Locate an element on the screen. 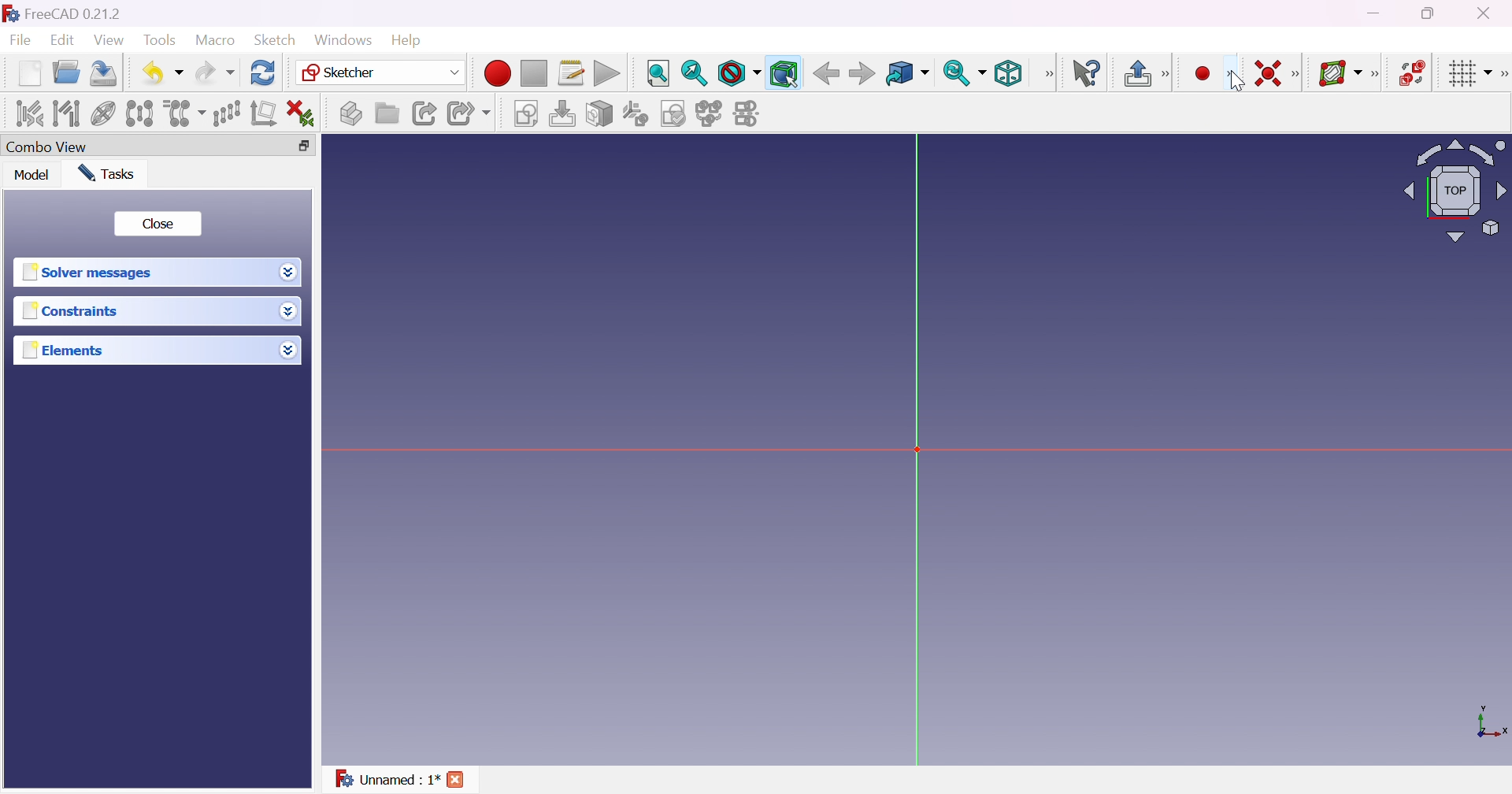  Stop macro recording... is located at coordinates (534, 72).